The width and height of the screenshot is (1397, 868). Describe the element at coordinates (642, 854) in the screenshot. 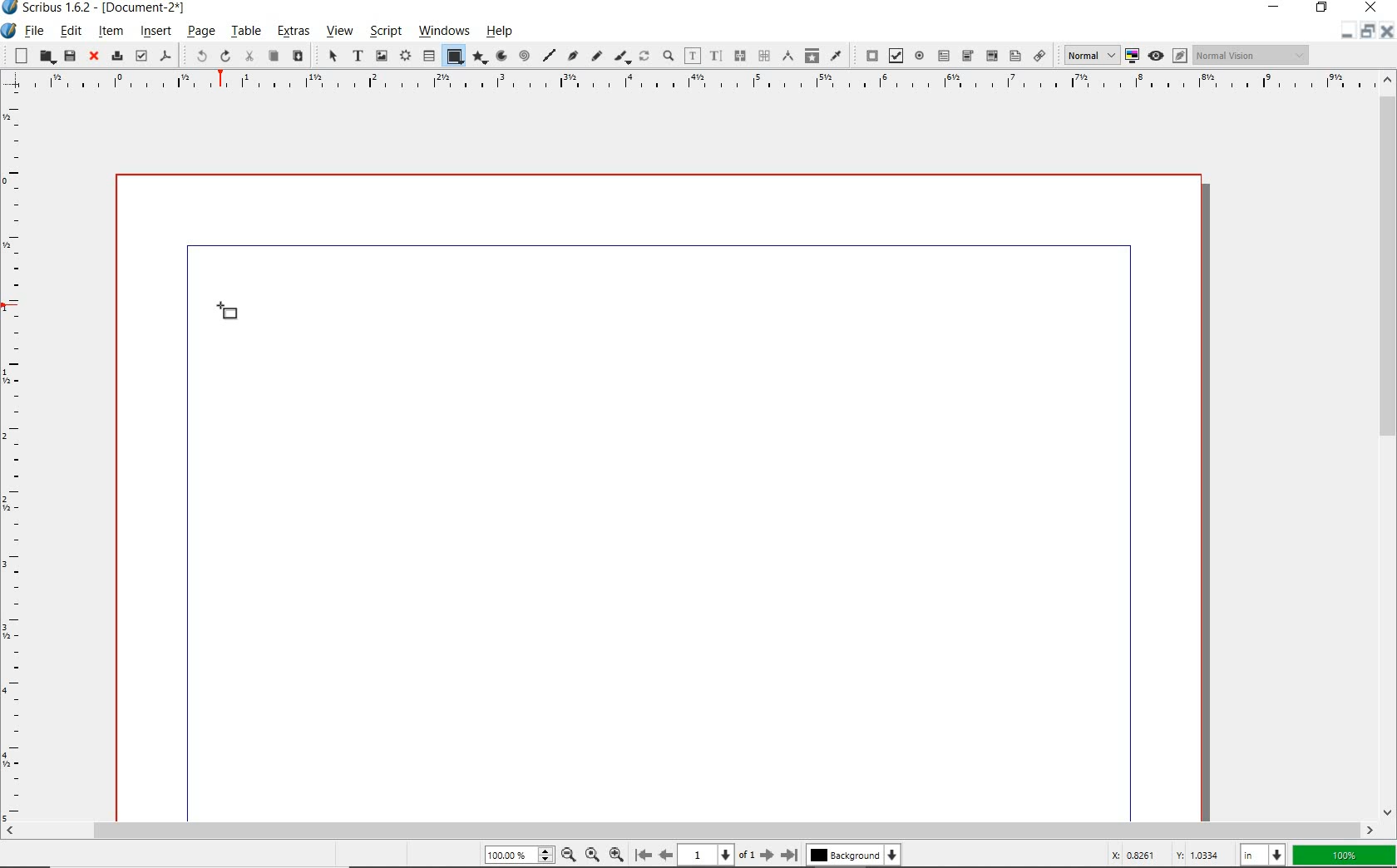

I see `move to first` at that location.